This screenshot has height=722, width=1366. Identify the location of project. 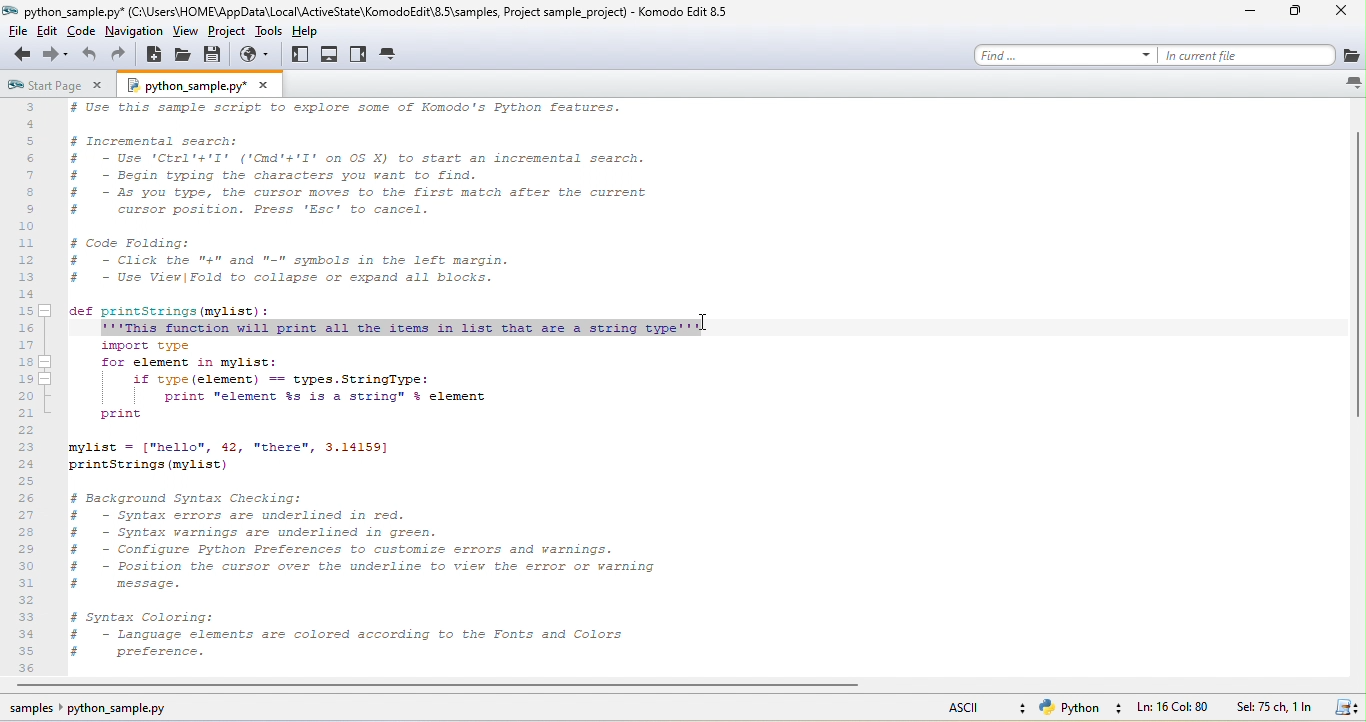
(228, 32).